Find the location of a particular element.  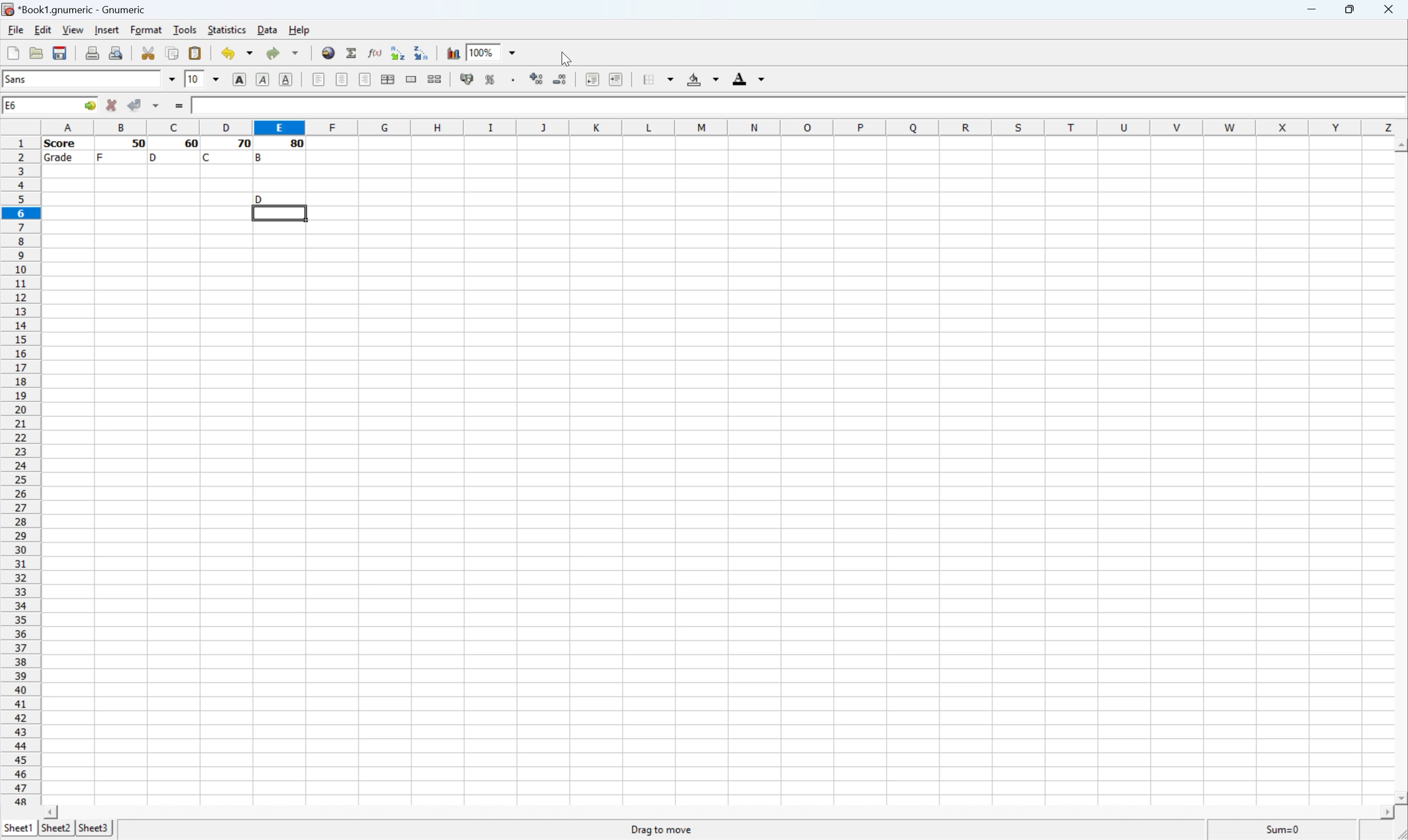

Format the selection as percentage is located at coordinates (491, 80).